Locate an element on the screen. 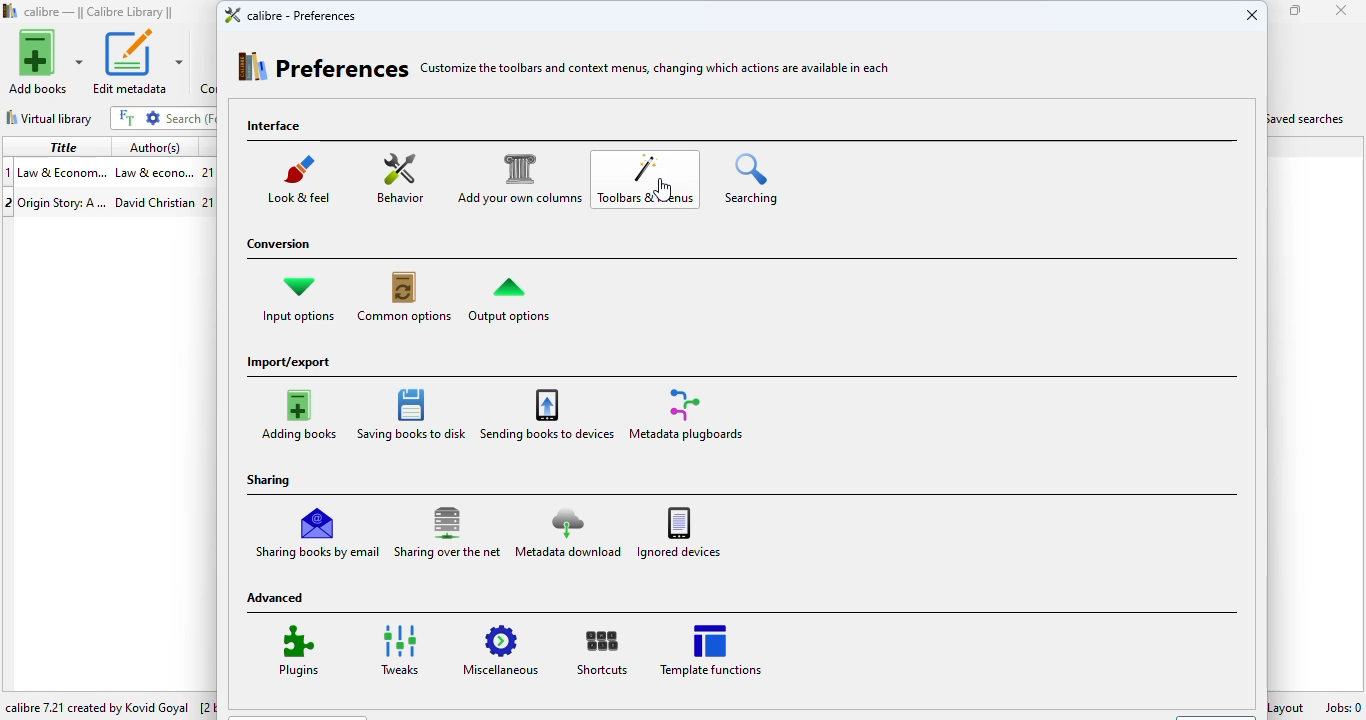 The image size is (1366, 720). searching is located at coordinates (752, 178).